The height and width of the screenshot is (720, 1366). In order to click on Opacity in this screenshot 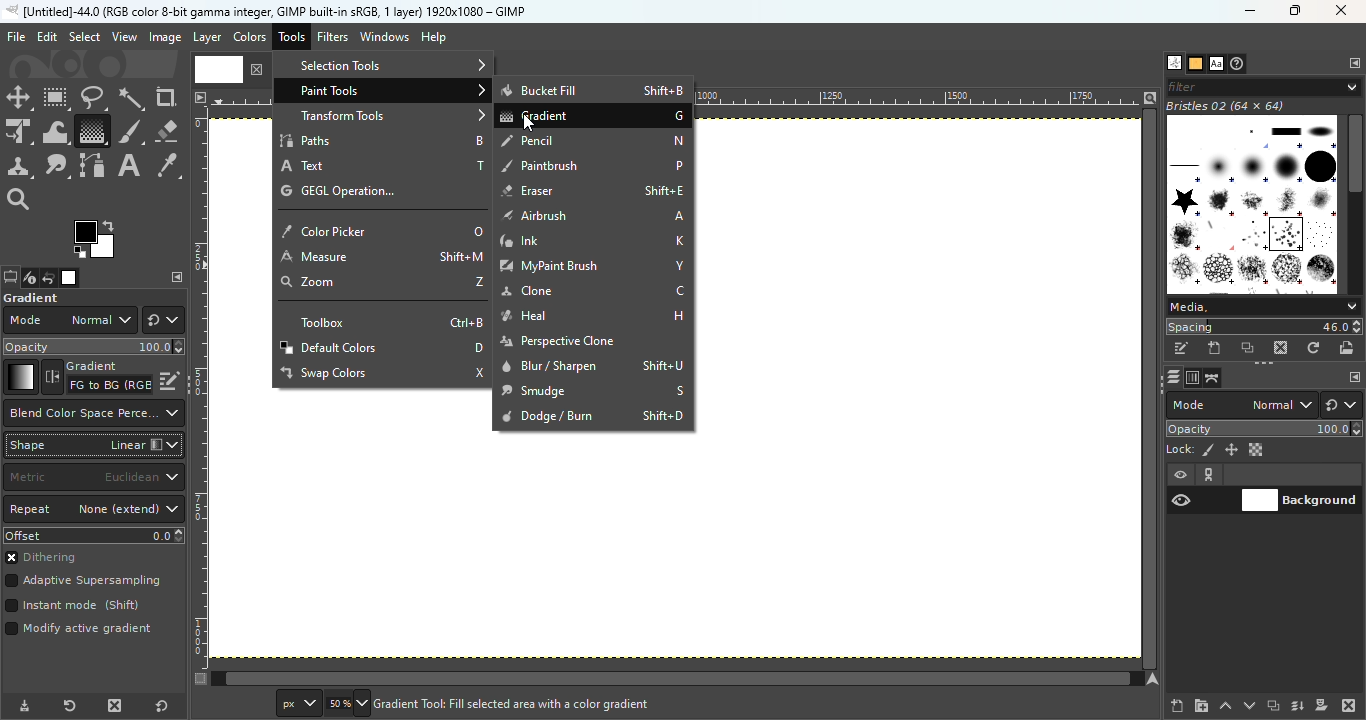, I will do `click(1266, 429)`.